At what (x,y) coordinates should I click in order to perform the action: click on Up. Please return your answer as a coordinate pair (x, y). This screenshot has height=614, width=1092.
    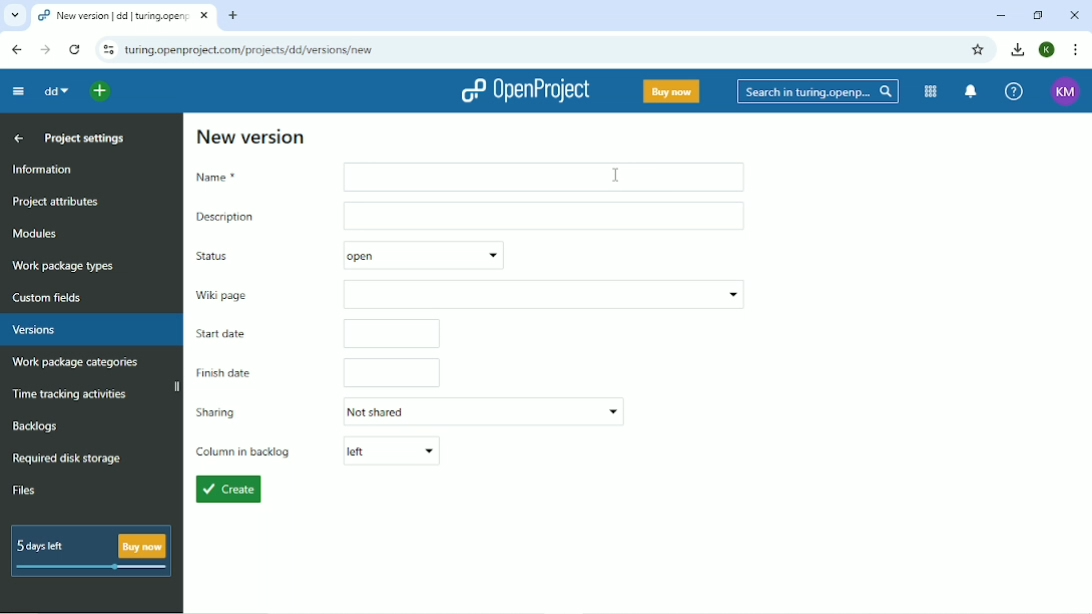
    Looking at the image, I should click on (16, 138).